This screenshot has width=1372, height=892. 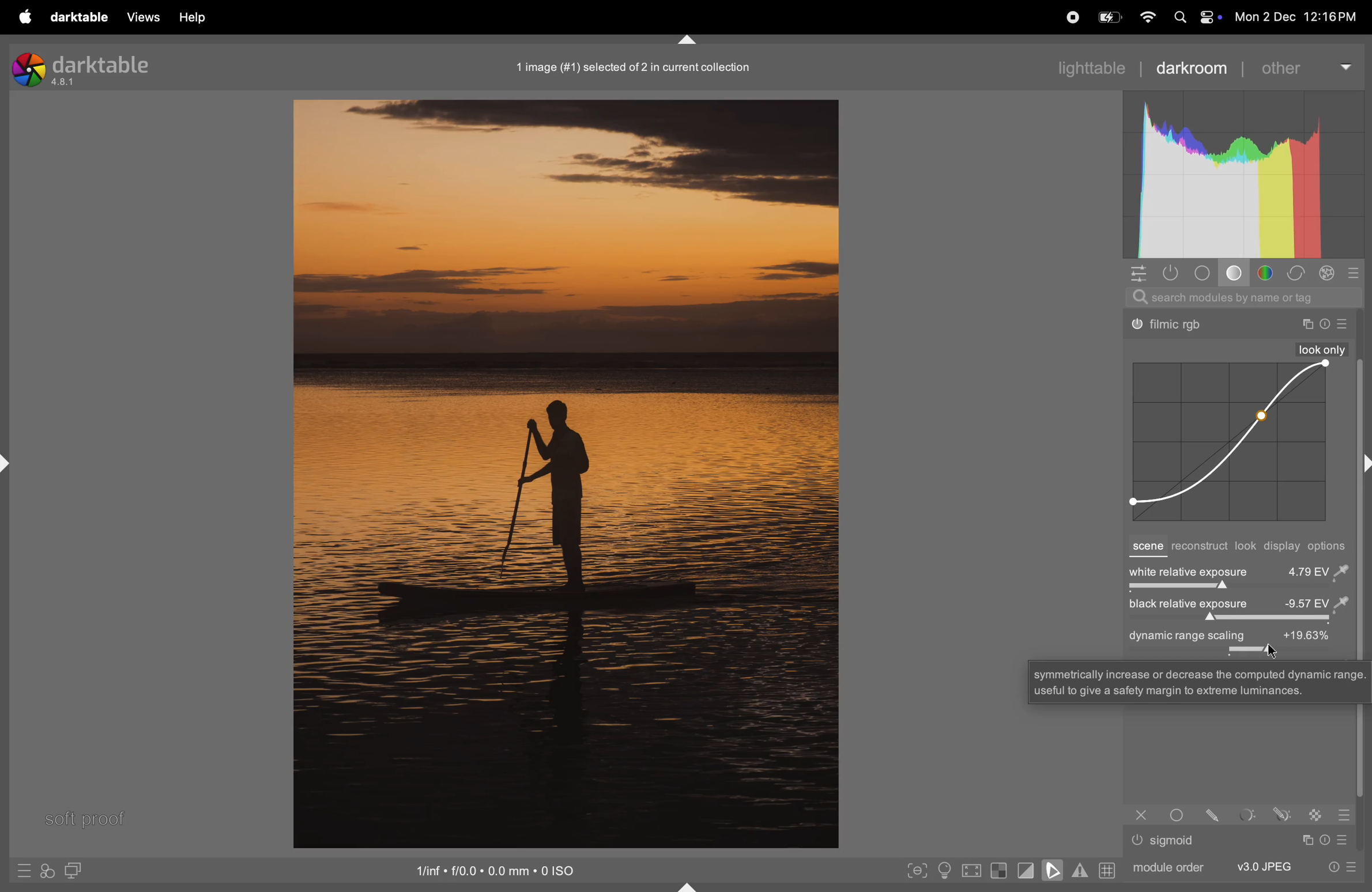 I want to click on wifi, so click(x=1146, y=18).